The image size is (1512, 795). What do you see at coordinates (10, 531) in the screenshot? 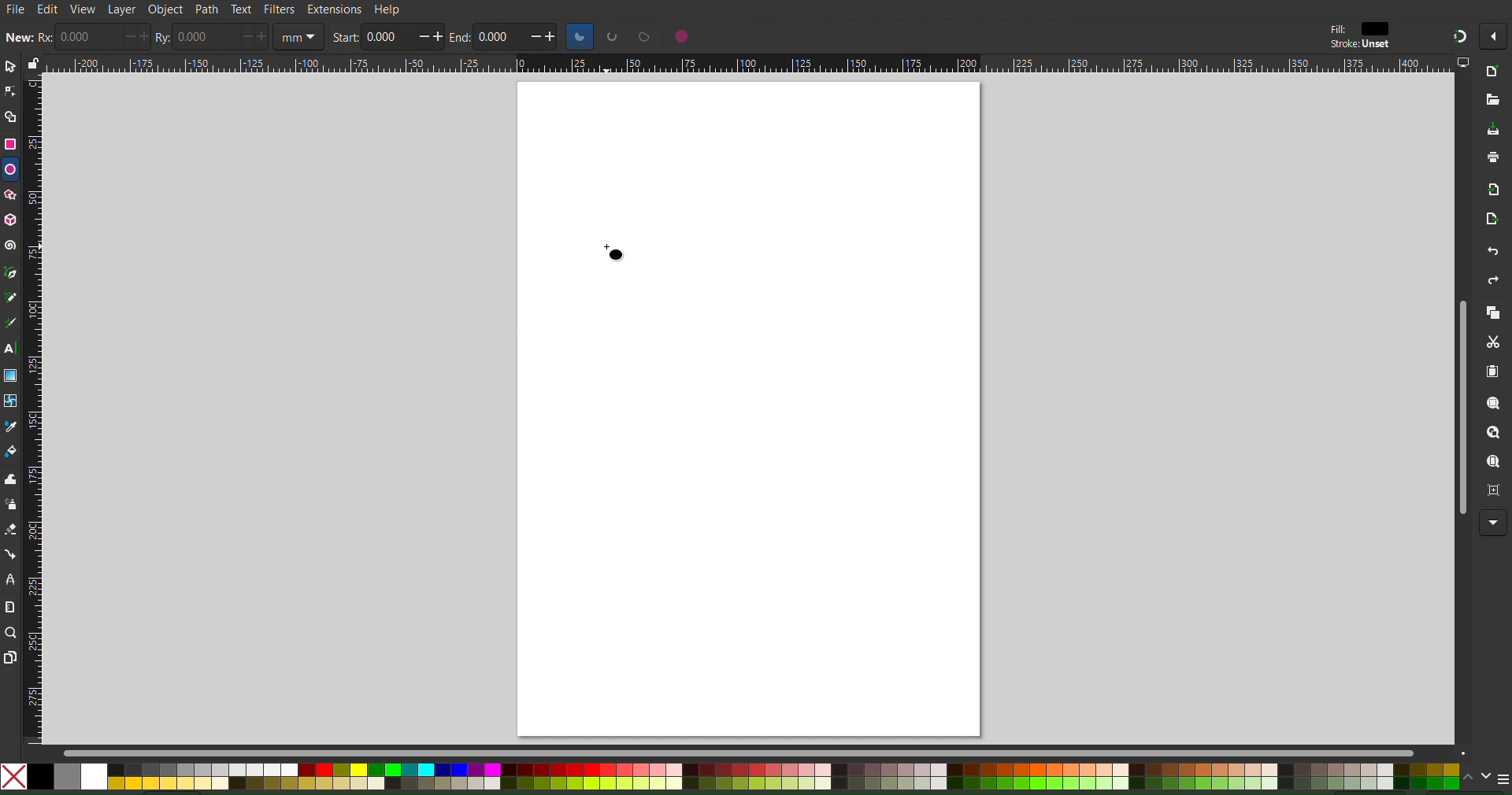
I see `Spray Tool` at bounding box center [10, 531].